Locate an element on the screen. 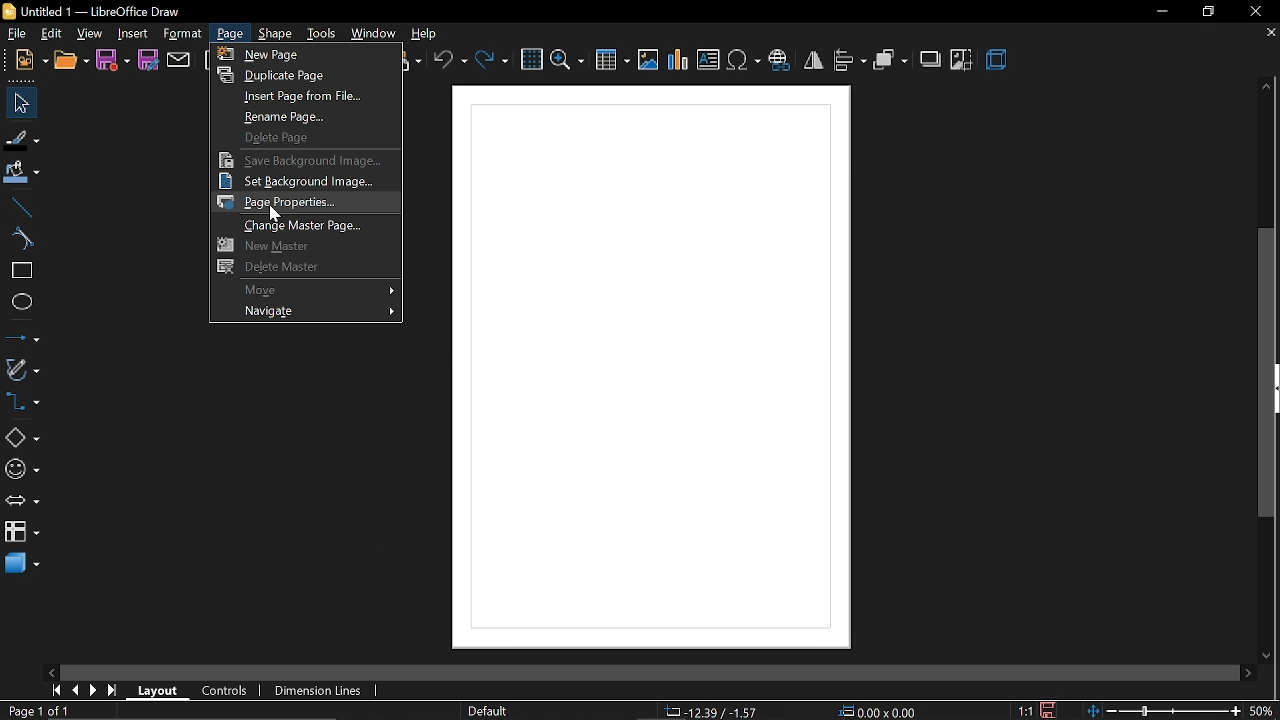 The height and width of the screenshot is (720, 1280). Untitled 1 - LibreOffice Draw - current window is located at coordinates (90, 13).